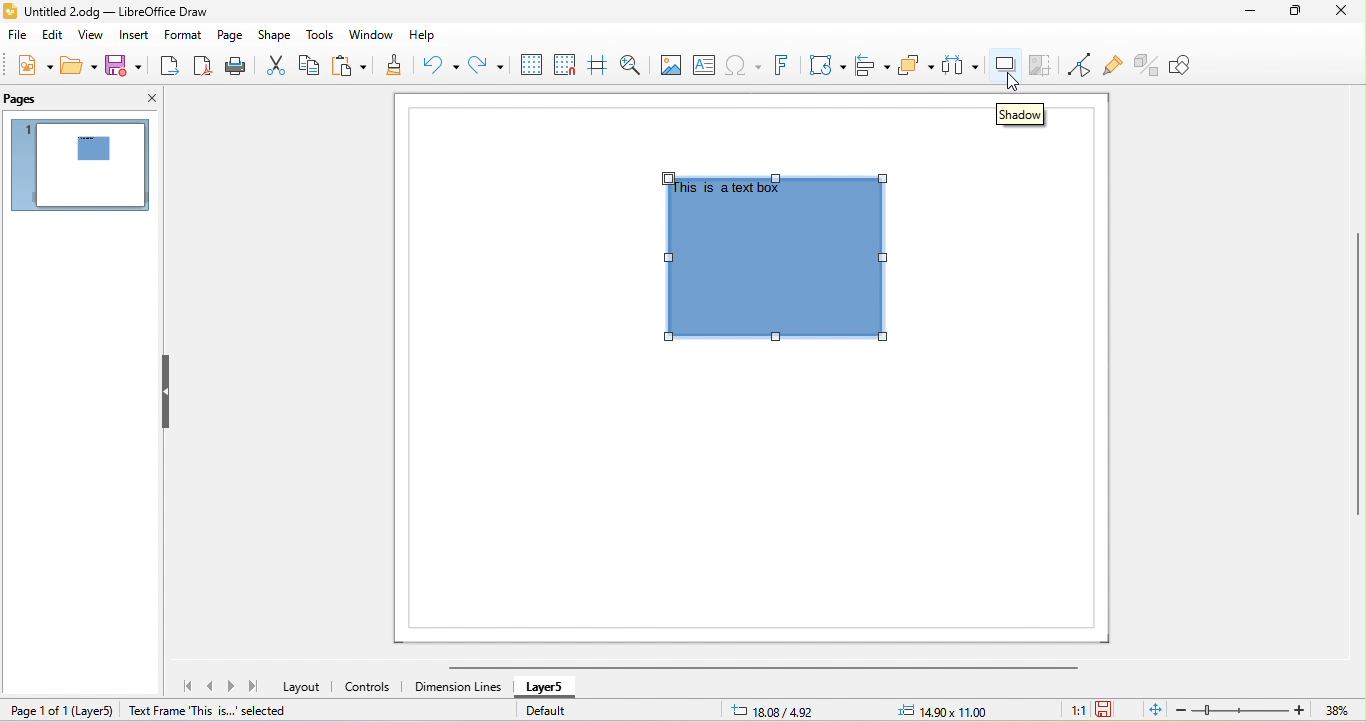  Describe the element at coordinates (1154, 710) in the screenshot. I see `fit page to current window` at that location.